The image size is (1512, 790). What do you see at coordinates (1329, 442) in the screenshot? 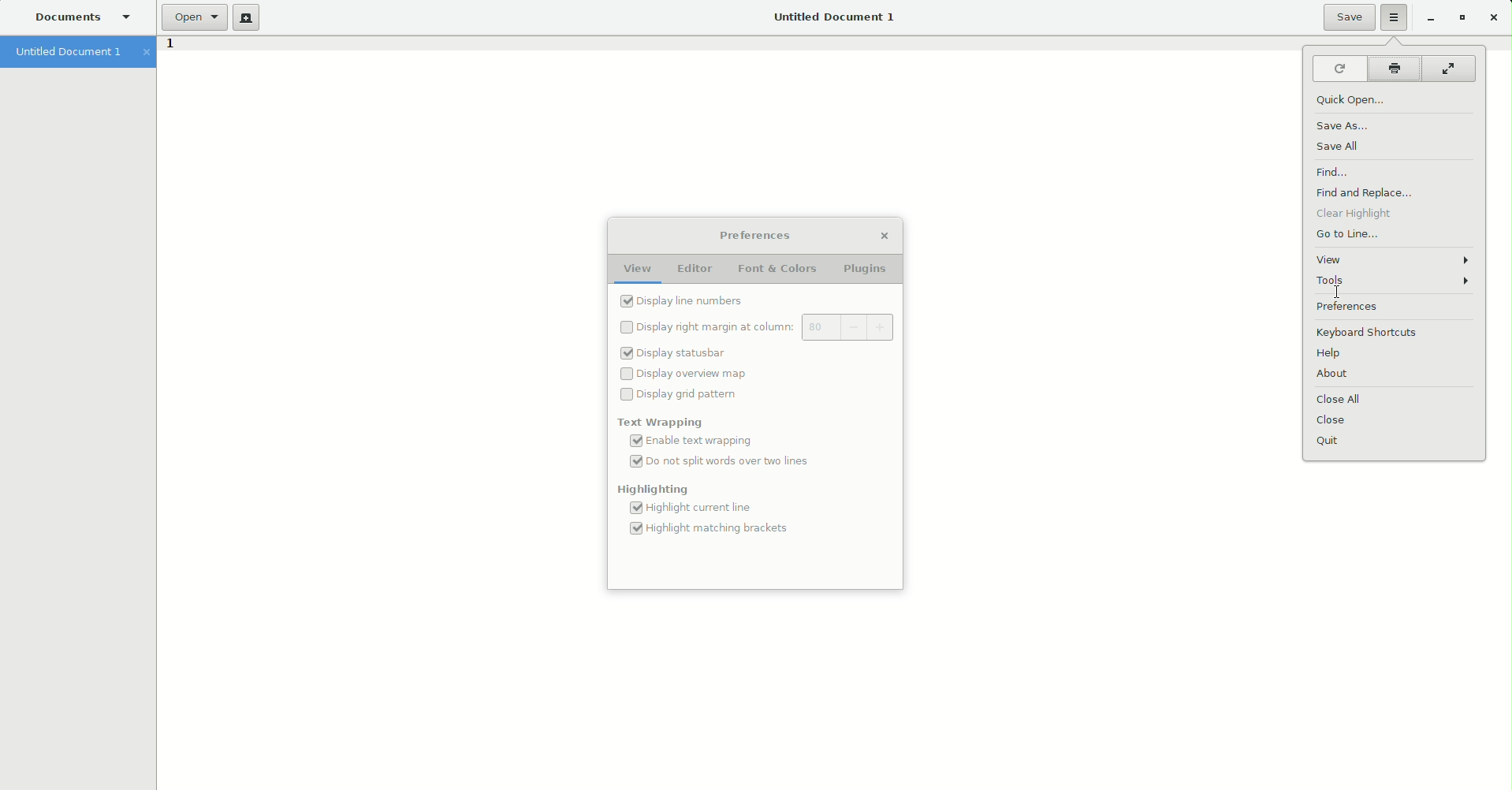
I see `Quit` at bounding box center [1329, 442].